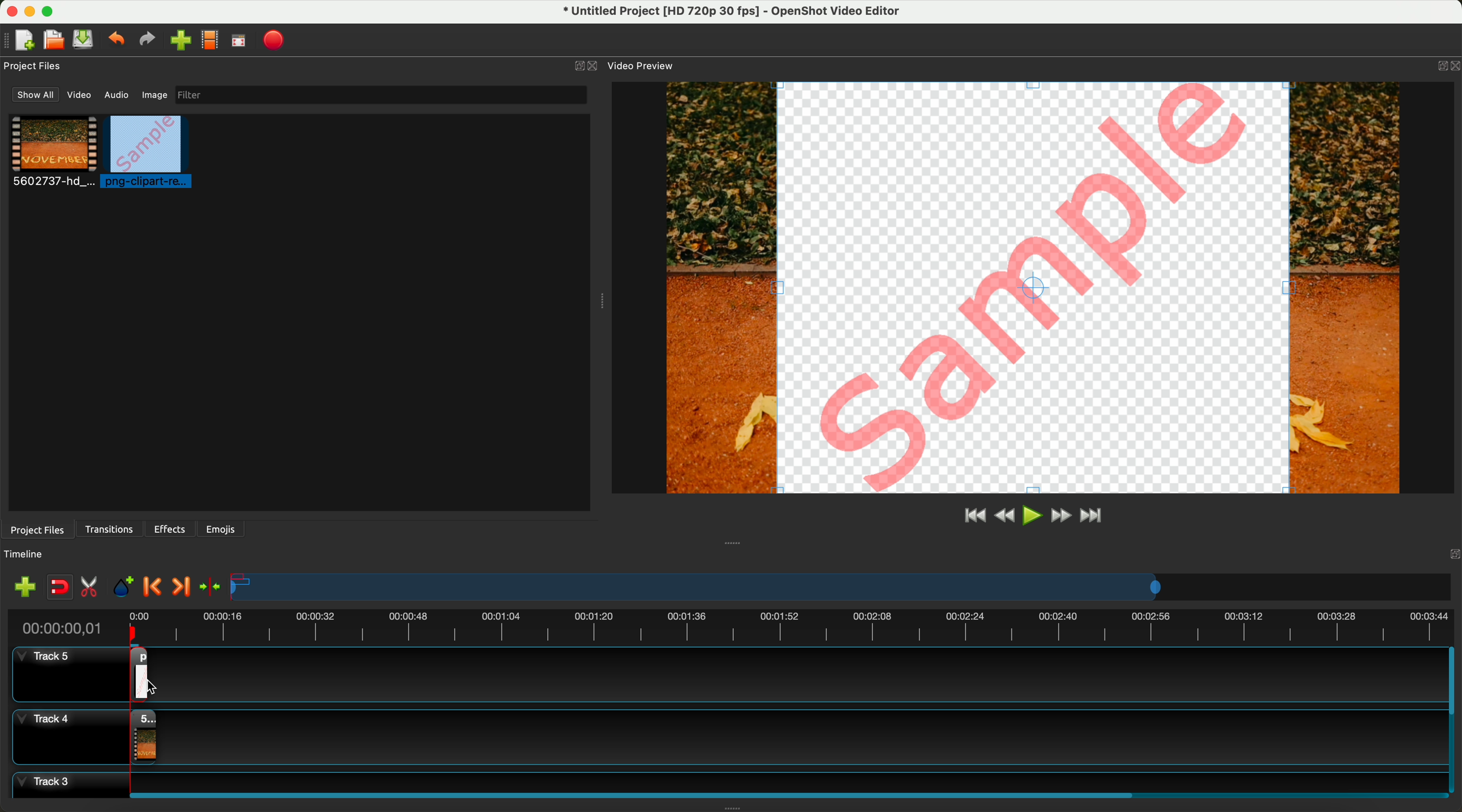 The height and width of the screenshot is (812, 1462). Describe the element at coordinates (975, 516) in the screenshot. I see `jump to start` at that location.